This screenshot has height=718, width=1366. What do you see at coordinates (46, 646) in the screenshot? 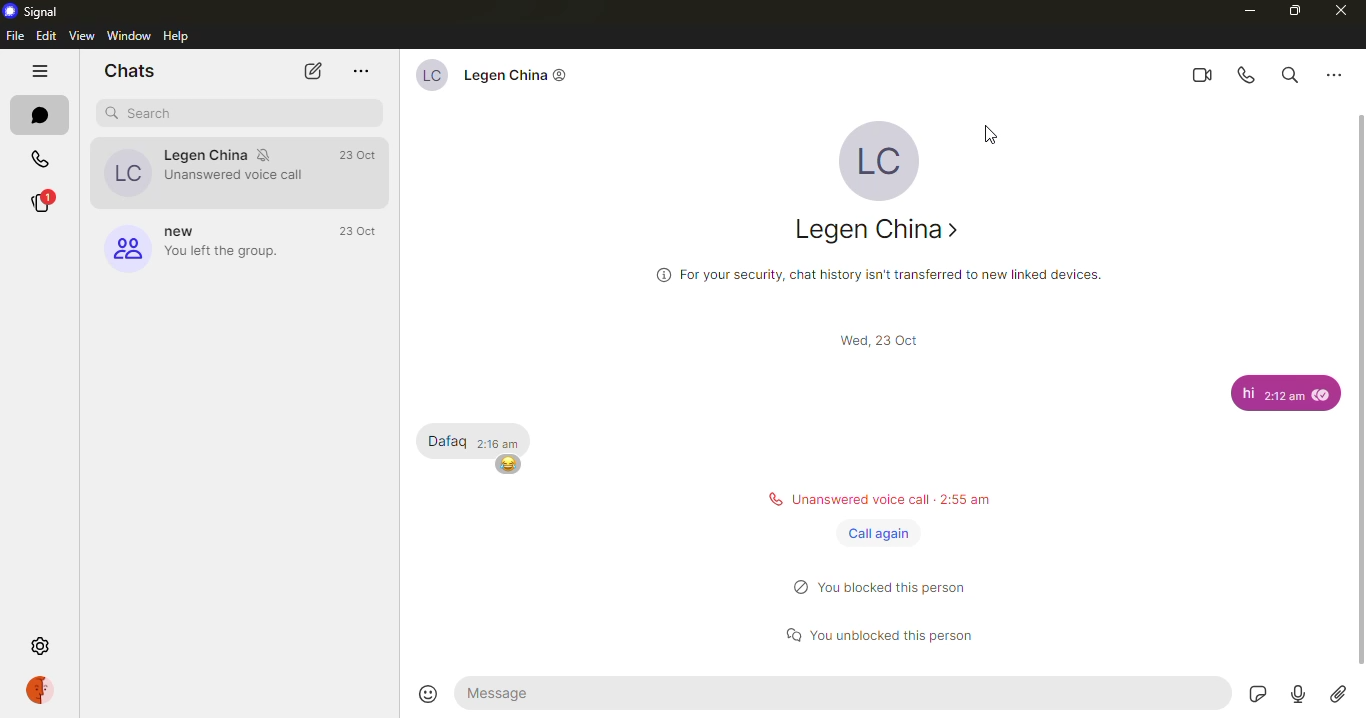
I see `settings` at bounding box center [46, 646].